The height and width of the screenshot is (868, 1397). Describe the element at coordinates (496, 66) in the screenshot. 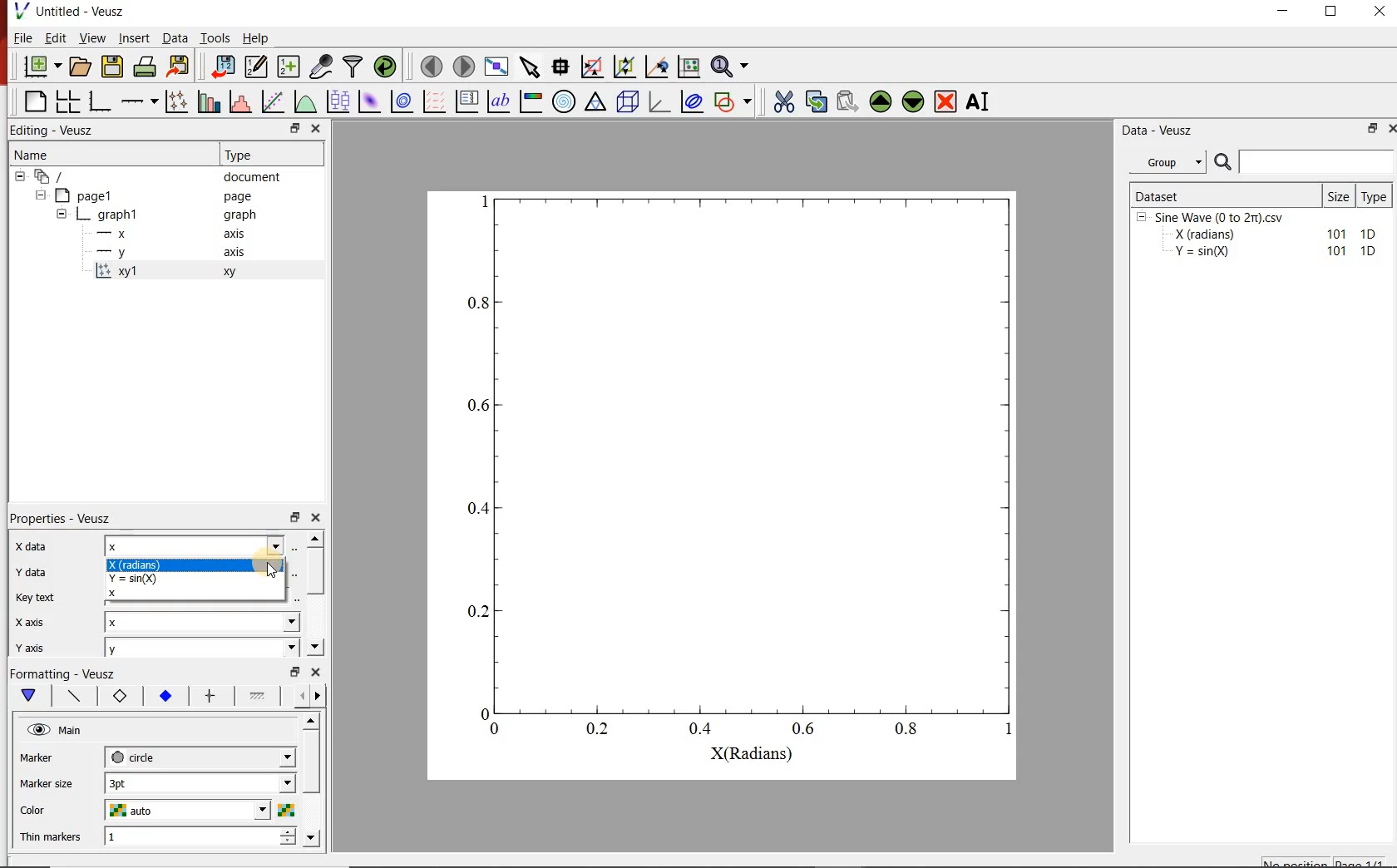

I see `view plot full screen` at that location.